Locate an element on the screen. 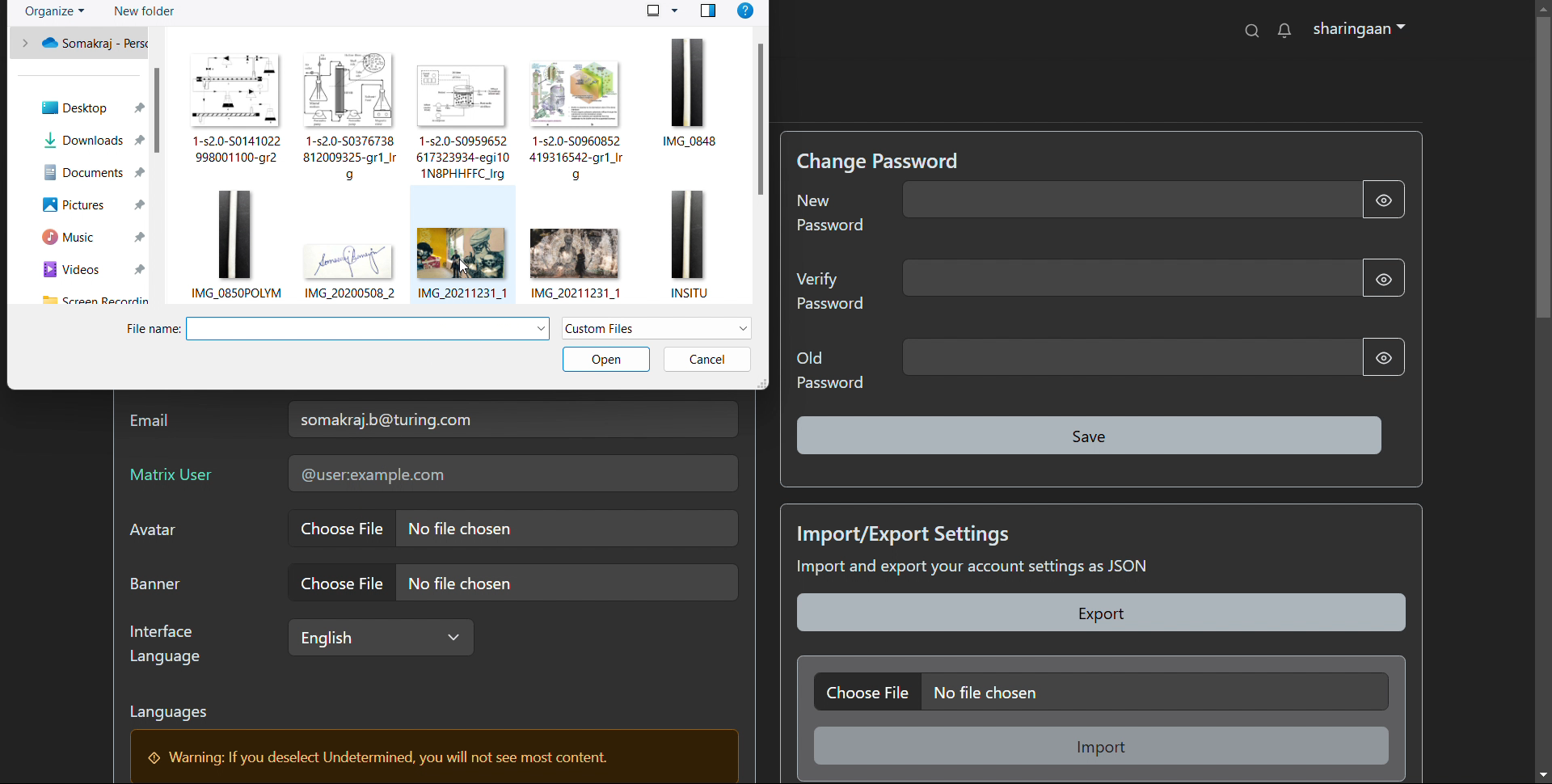 The height and width of the screenshot is (784, 1552). image 5 is located at coordinates (698, 111).